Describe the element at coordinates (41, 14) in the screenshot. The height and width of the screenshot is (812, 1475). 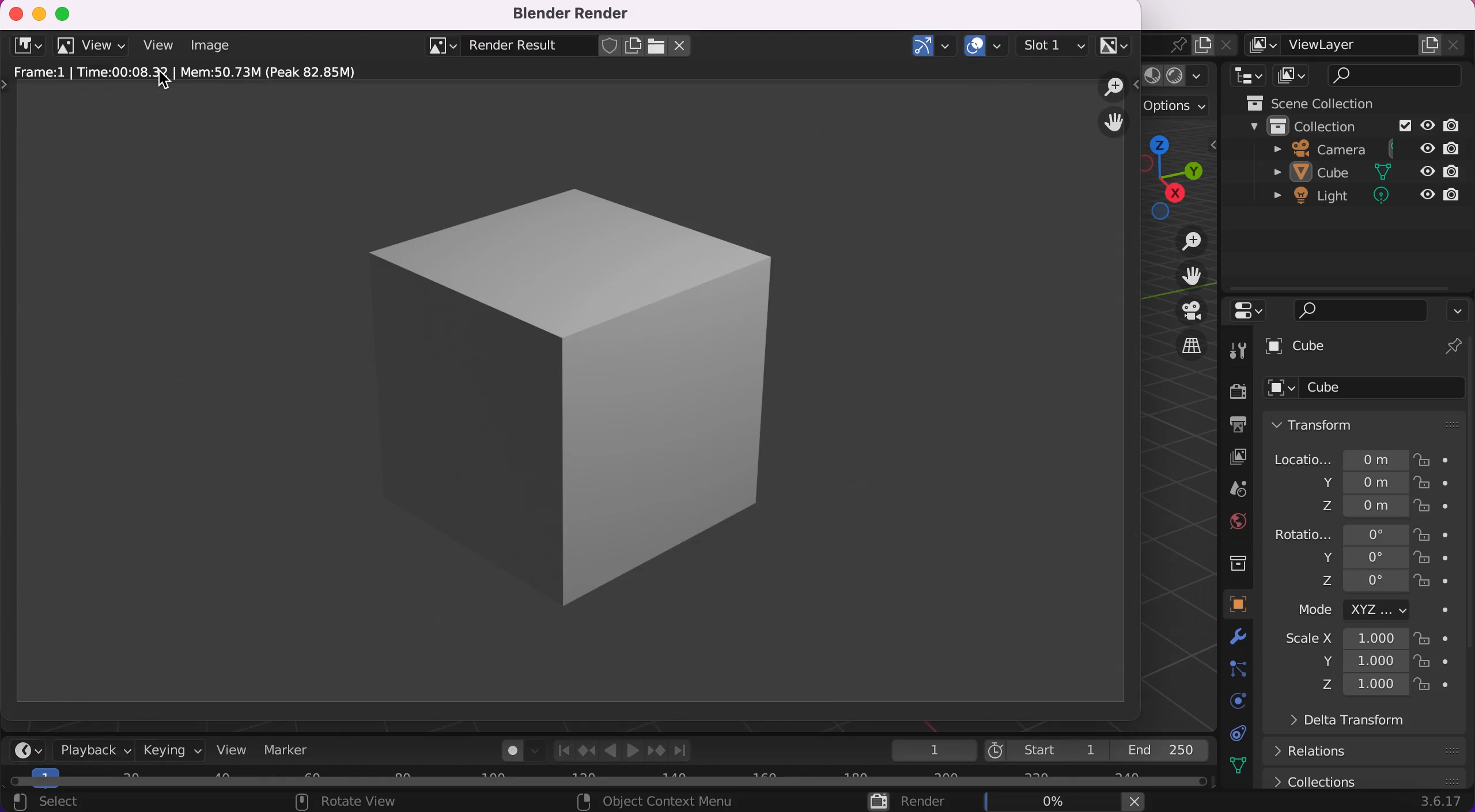
I see `minimize` at that location.